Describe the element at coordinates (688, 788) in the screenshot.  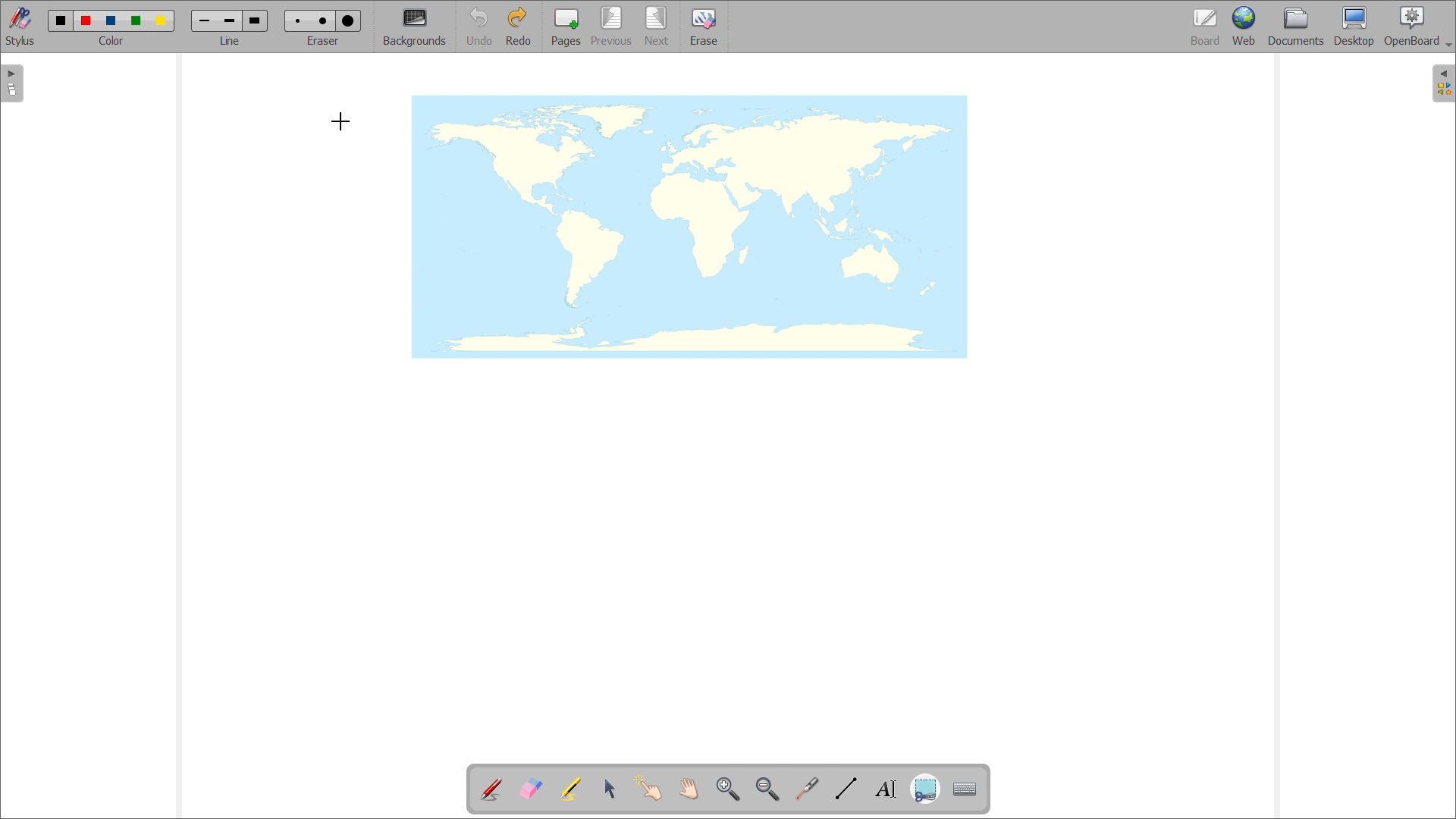
I see `scroll page` at that location.